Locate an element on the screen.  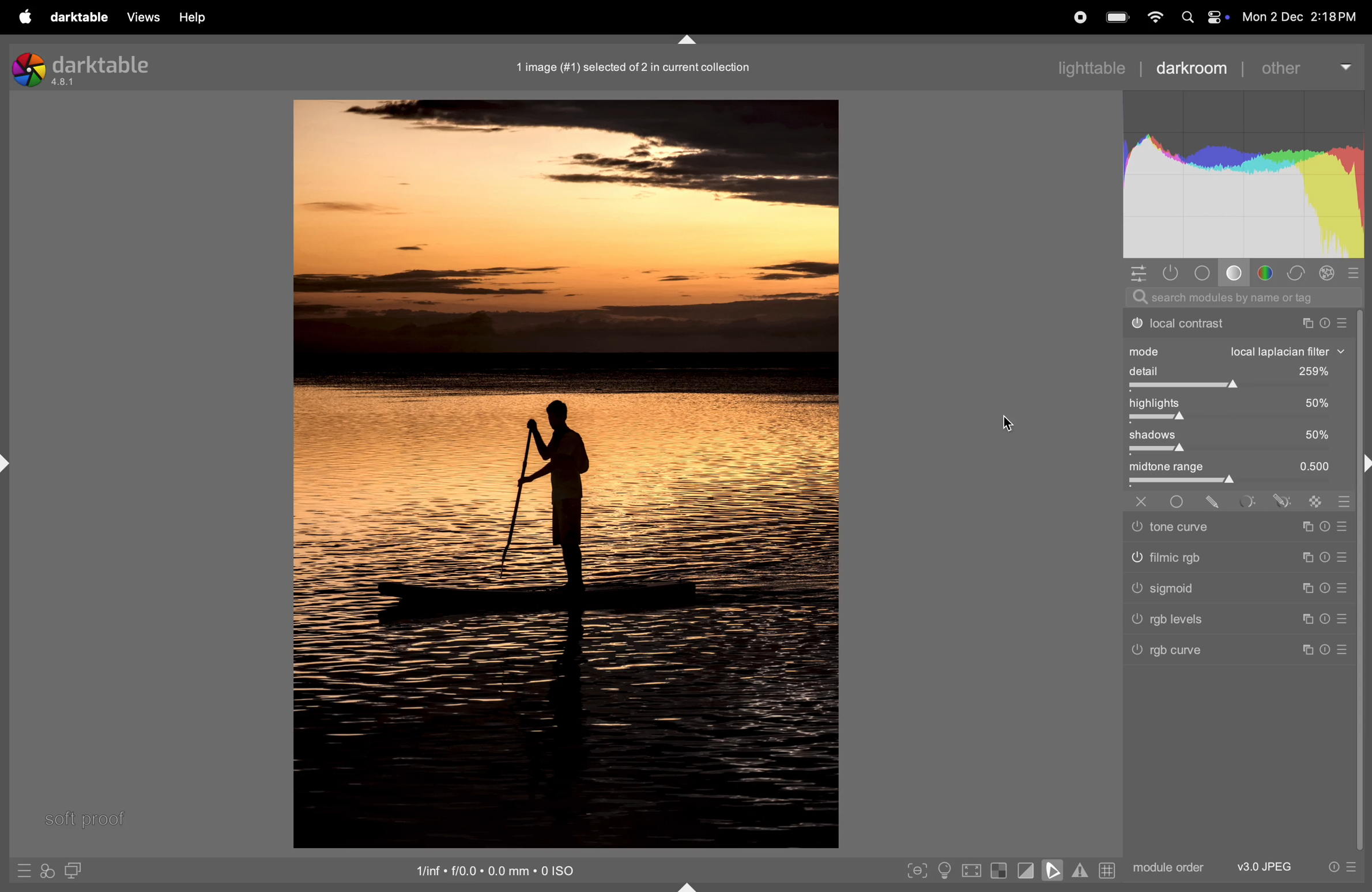
sign is located at coordinates (1310, 556).